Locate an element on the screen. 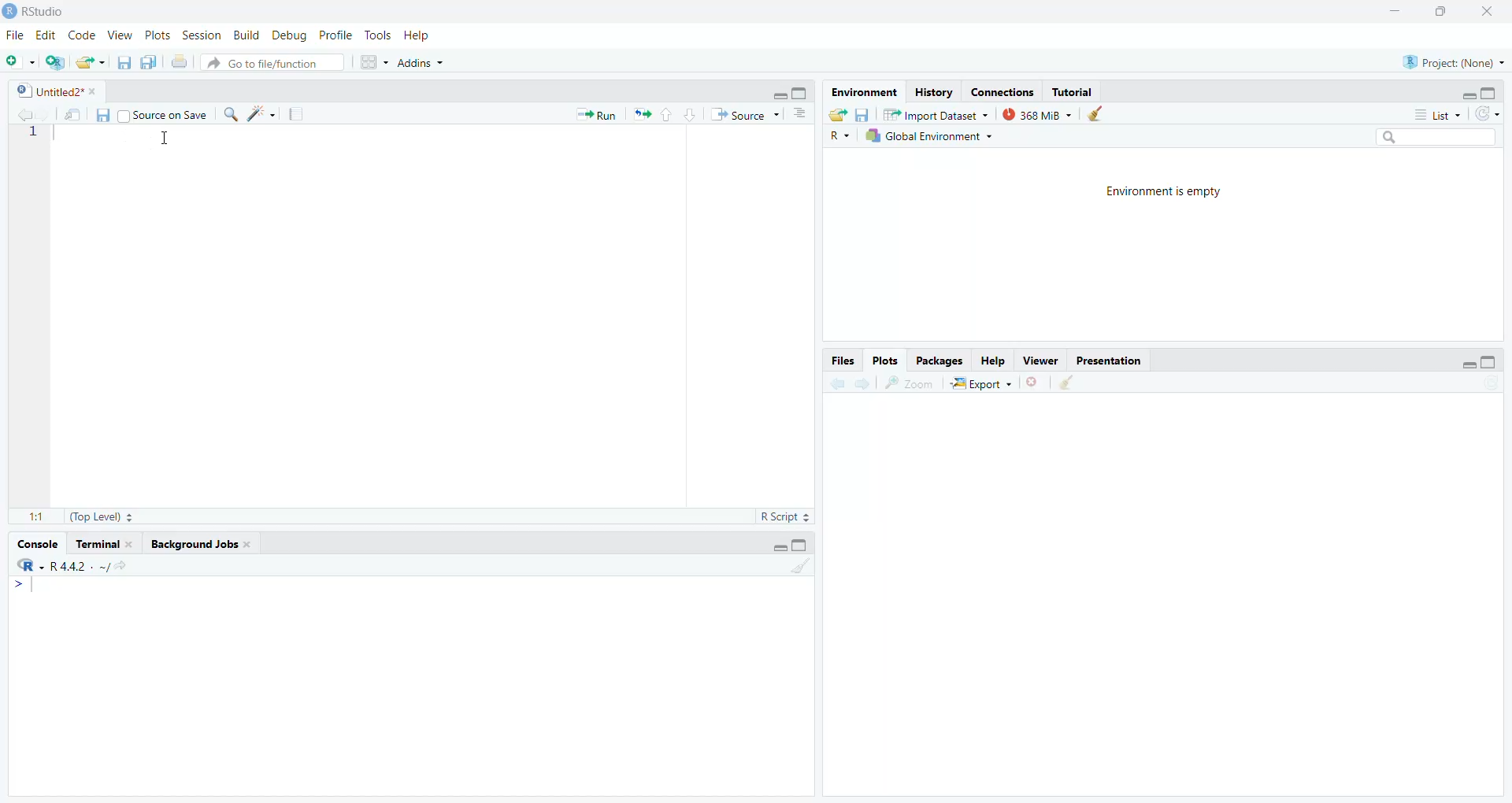  Environment is located at coordinates (858, 92).